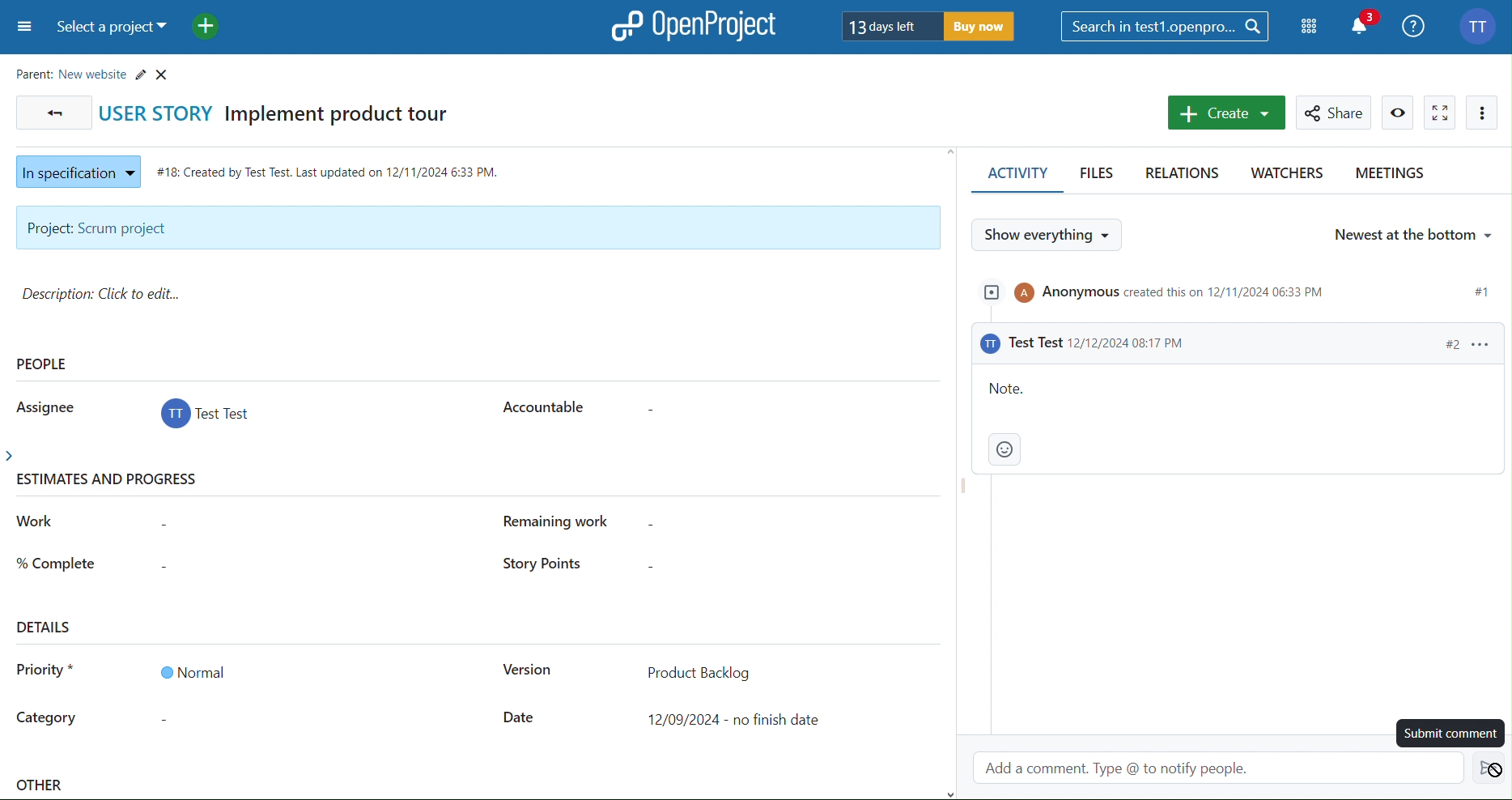  What do you see at coordinates (1480, 24) in the screenshot?
I see `Account` at bounding box center [1480, 24].